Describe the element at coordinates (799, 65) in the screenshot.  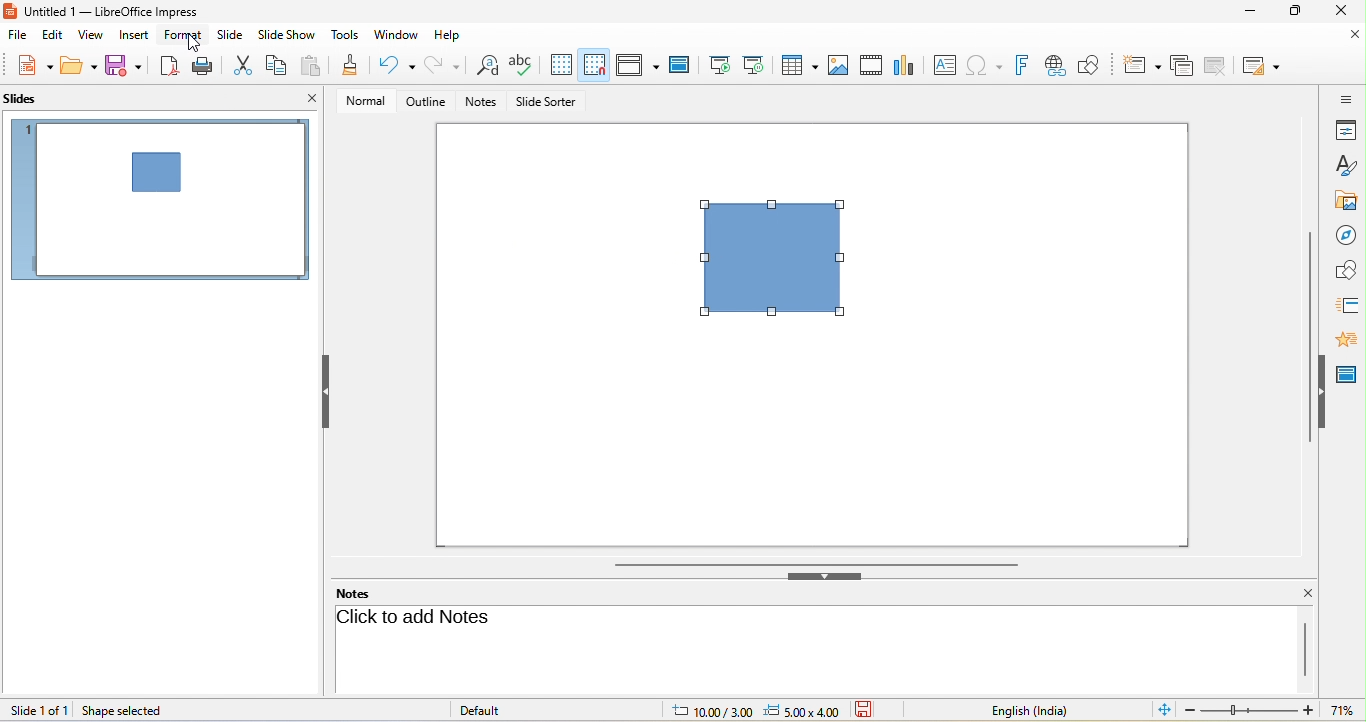
I see `table` at that location.